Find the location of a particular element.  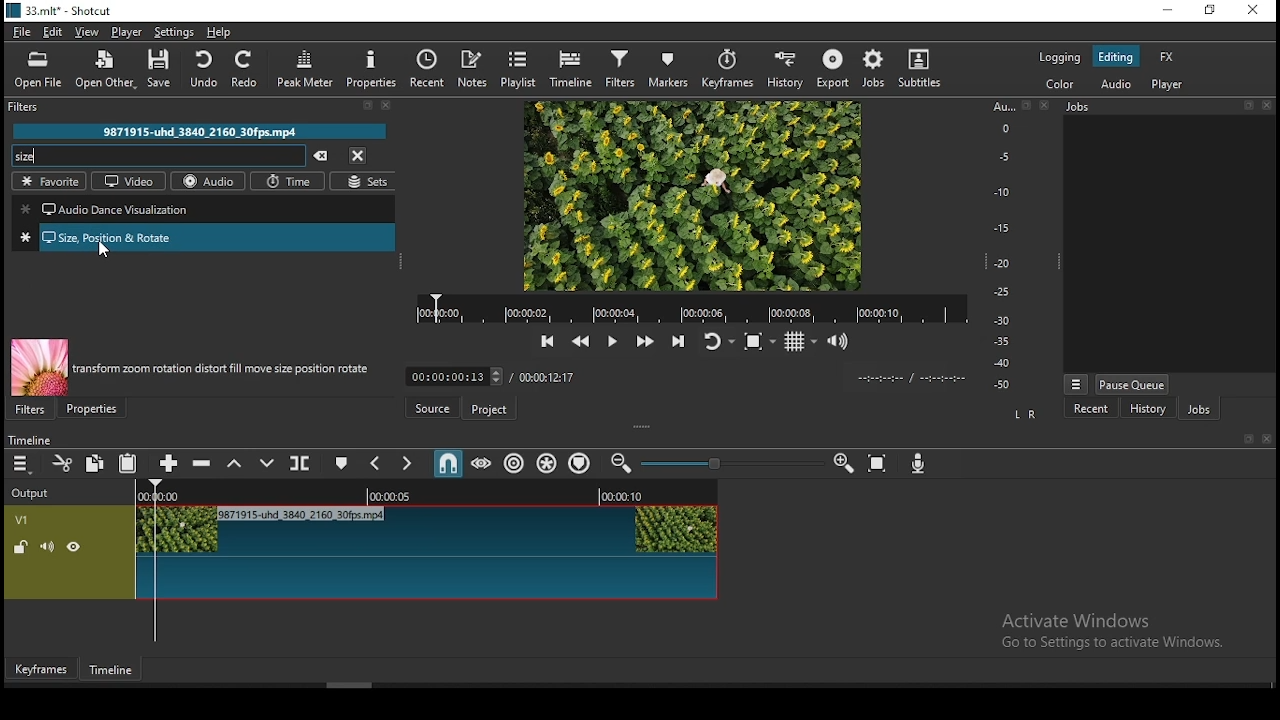

 is located at coordinates (1078, 106).